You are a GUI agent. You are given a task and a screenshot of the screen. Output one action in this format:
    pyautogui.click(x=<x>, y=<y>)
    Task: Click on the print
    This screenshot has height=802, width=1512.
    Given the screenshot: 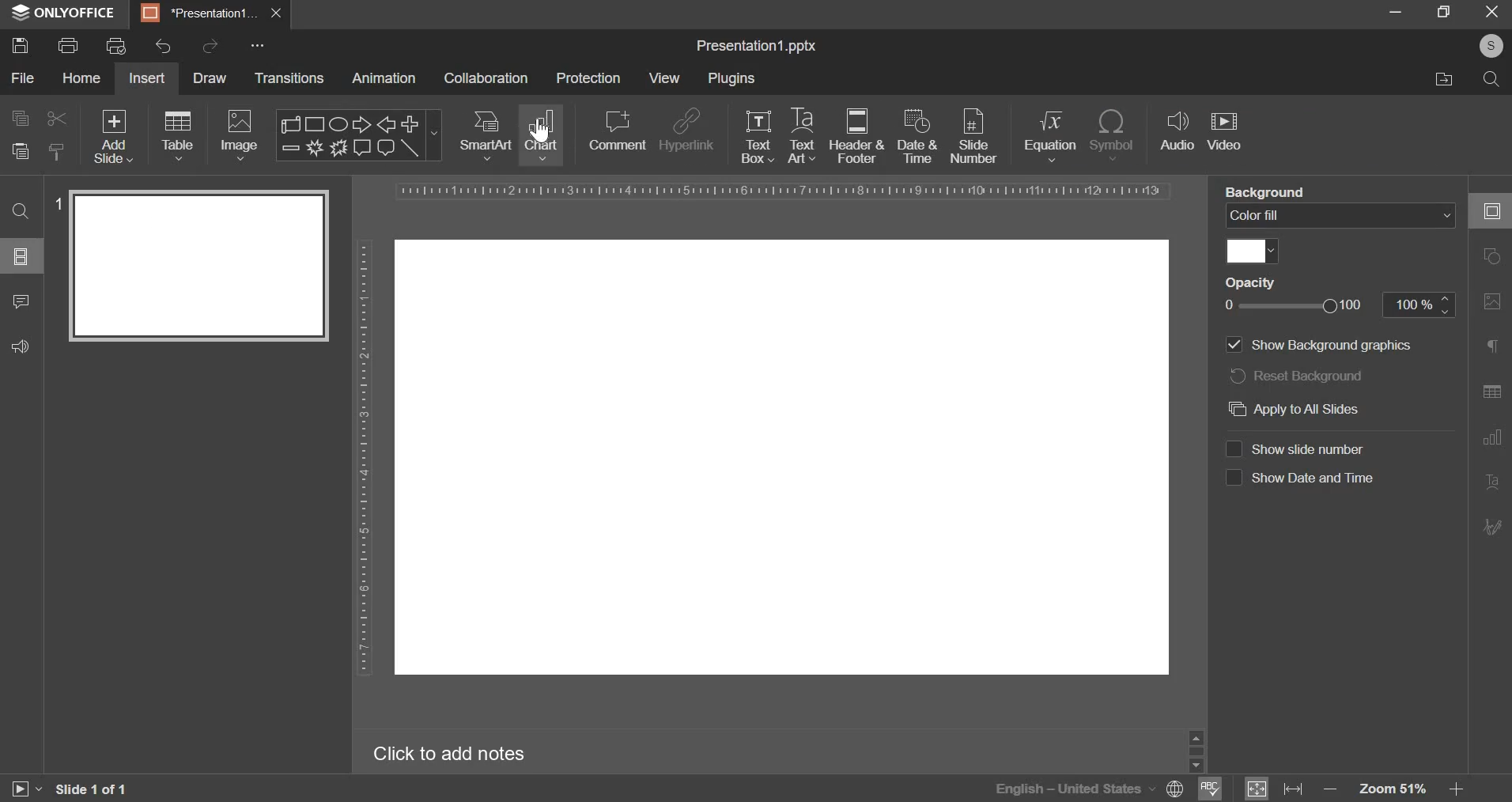 What is the action you would take?
    pyautogui.click(x=67, y=46)
    